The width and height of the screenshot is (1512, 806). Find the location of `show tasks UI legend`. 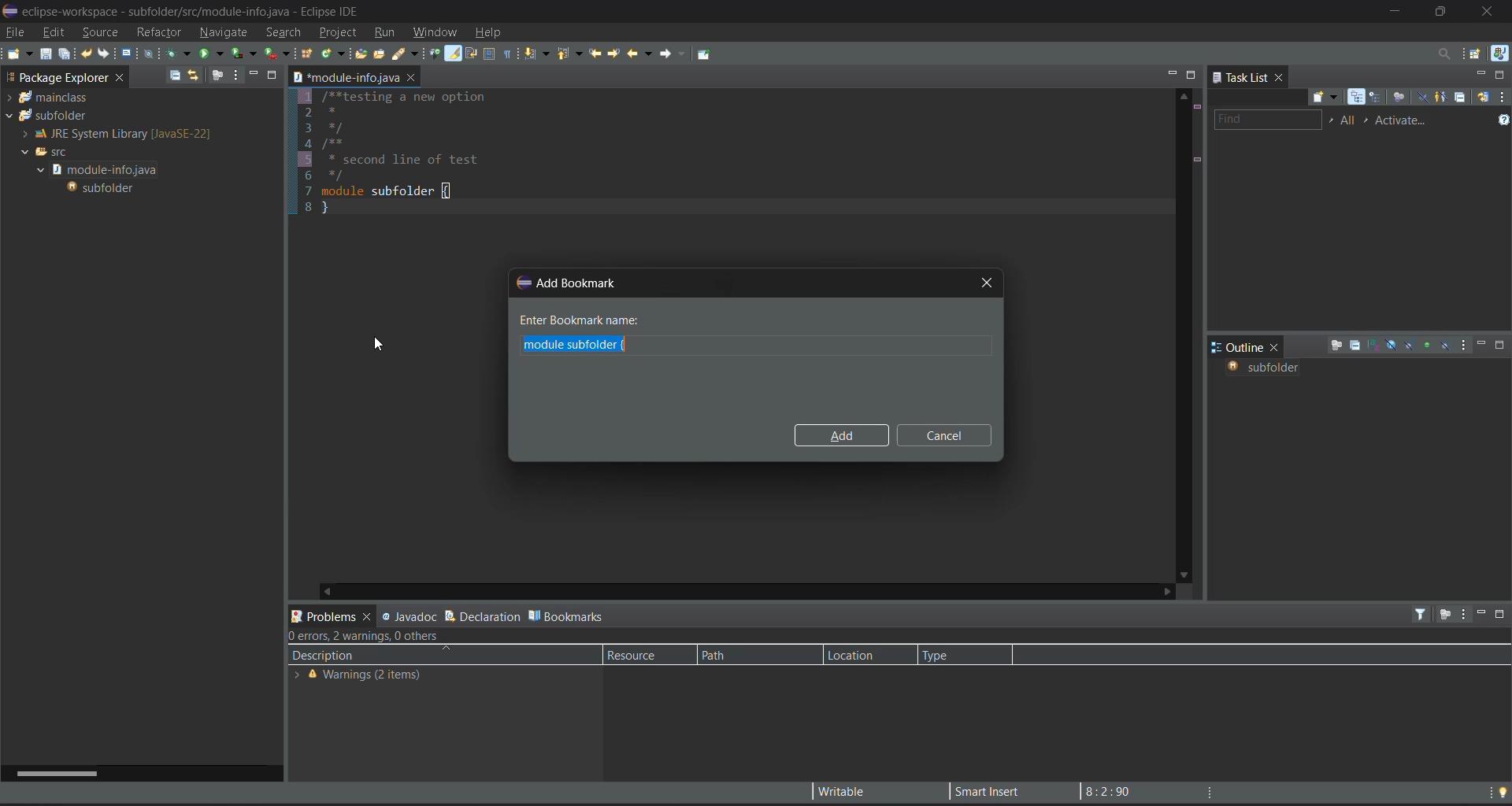

show tasks UI legend is located at coordinates (1503, 122).